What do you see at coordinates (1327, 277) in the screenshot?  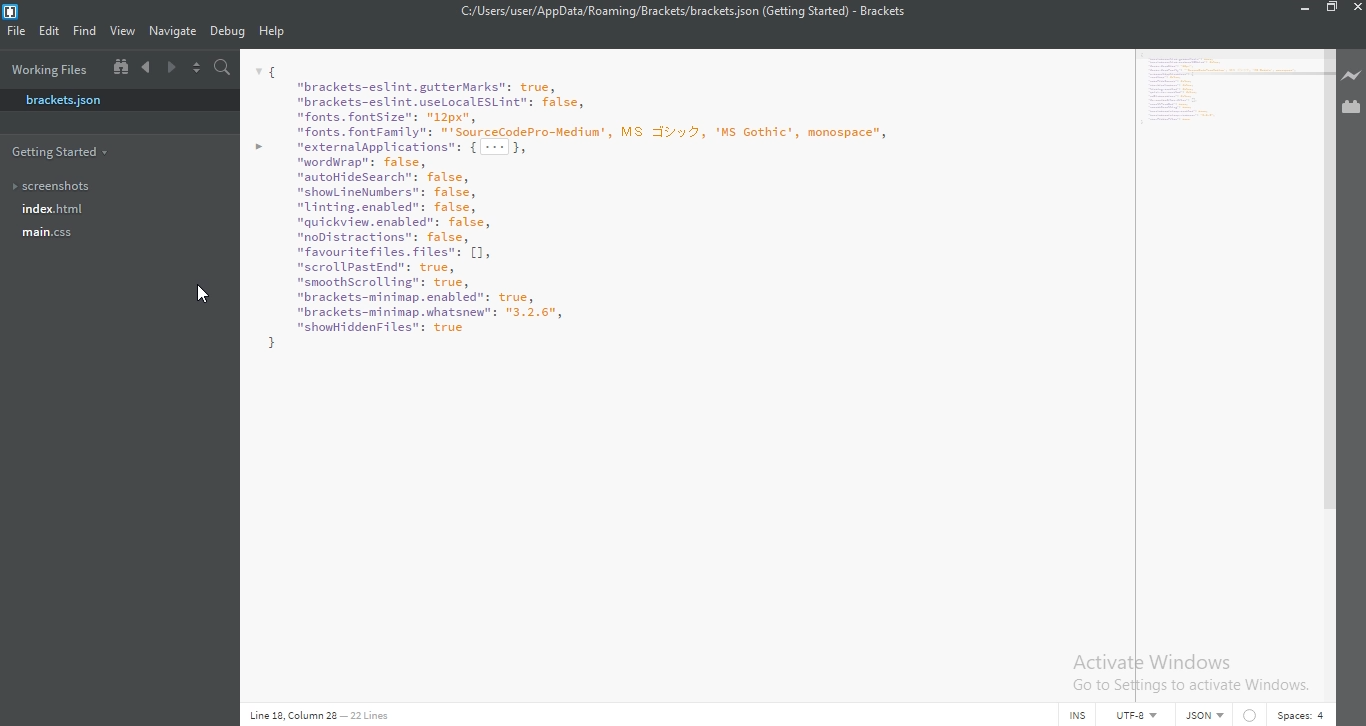 I see `Vertical Scroll bar` at bounding box center [1327, 277].